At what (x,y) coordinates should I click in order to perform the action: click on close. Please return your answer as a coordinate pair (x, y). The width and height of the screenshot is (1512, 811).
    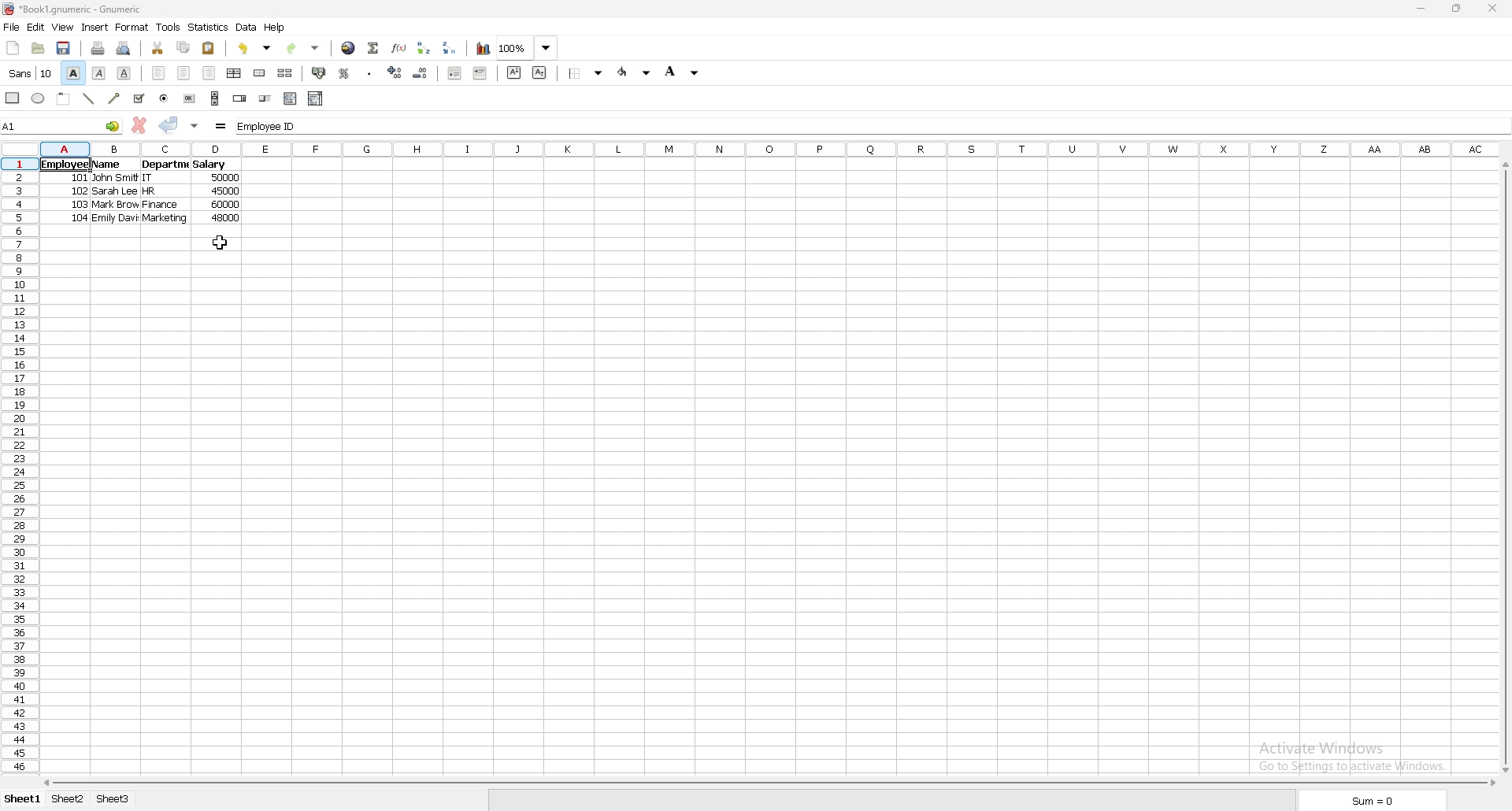
    Looking at the image, I should click on (1492, 9).